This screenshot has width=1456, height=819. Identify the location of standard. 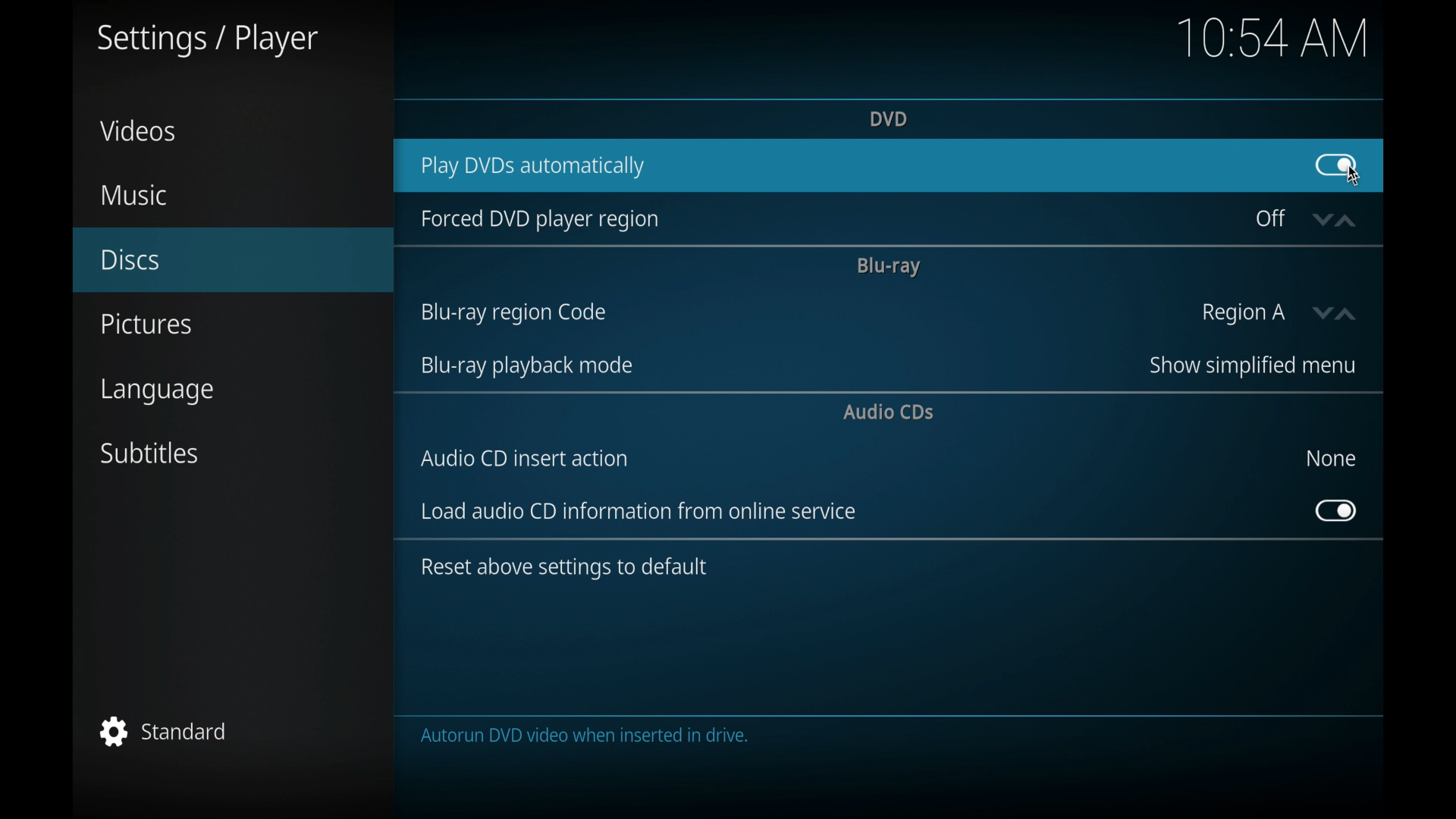
(164, 731).